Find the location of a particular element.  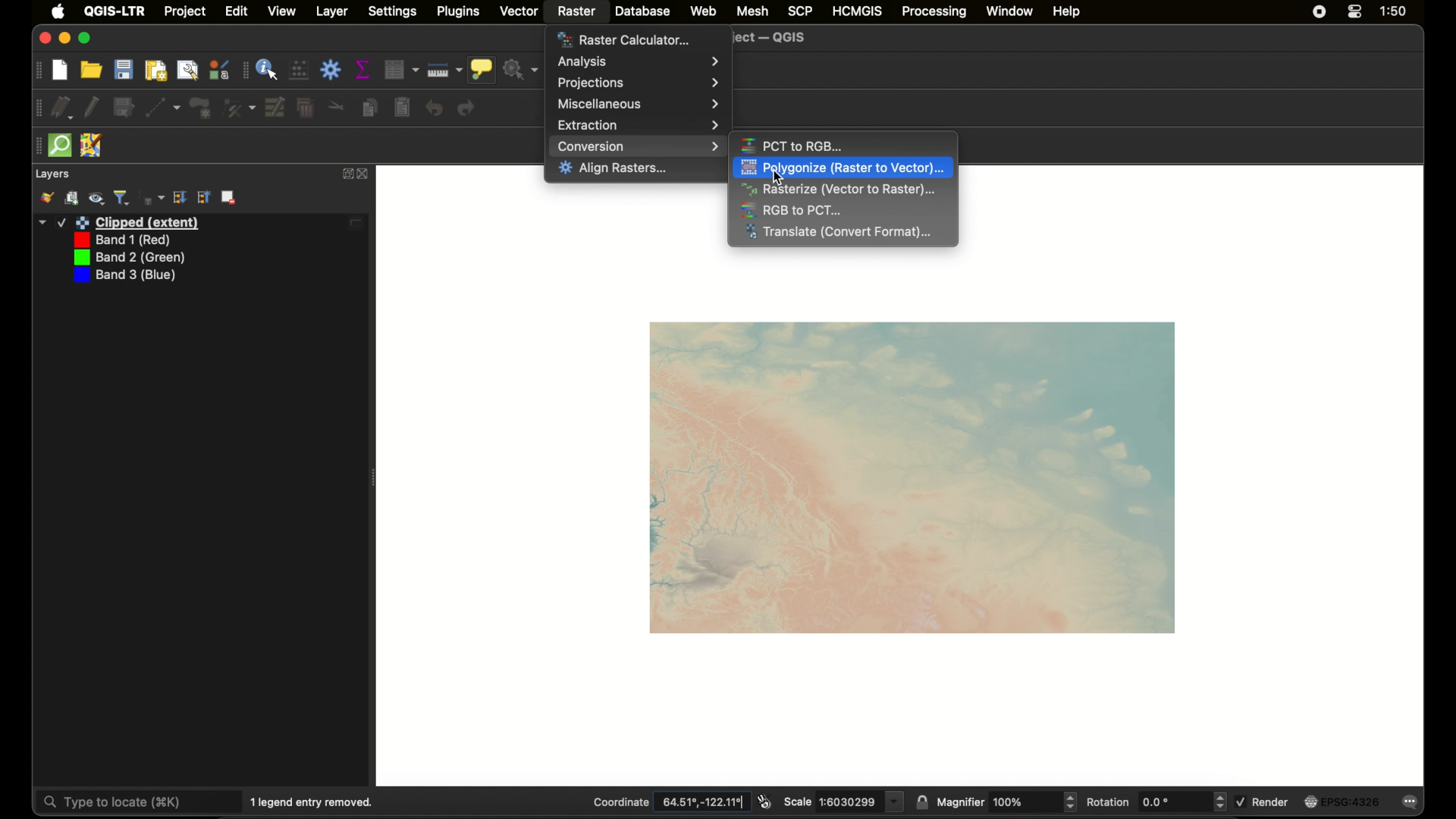

web is located at coordinates (704, 11).